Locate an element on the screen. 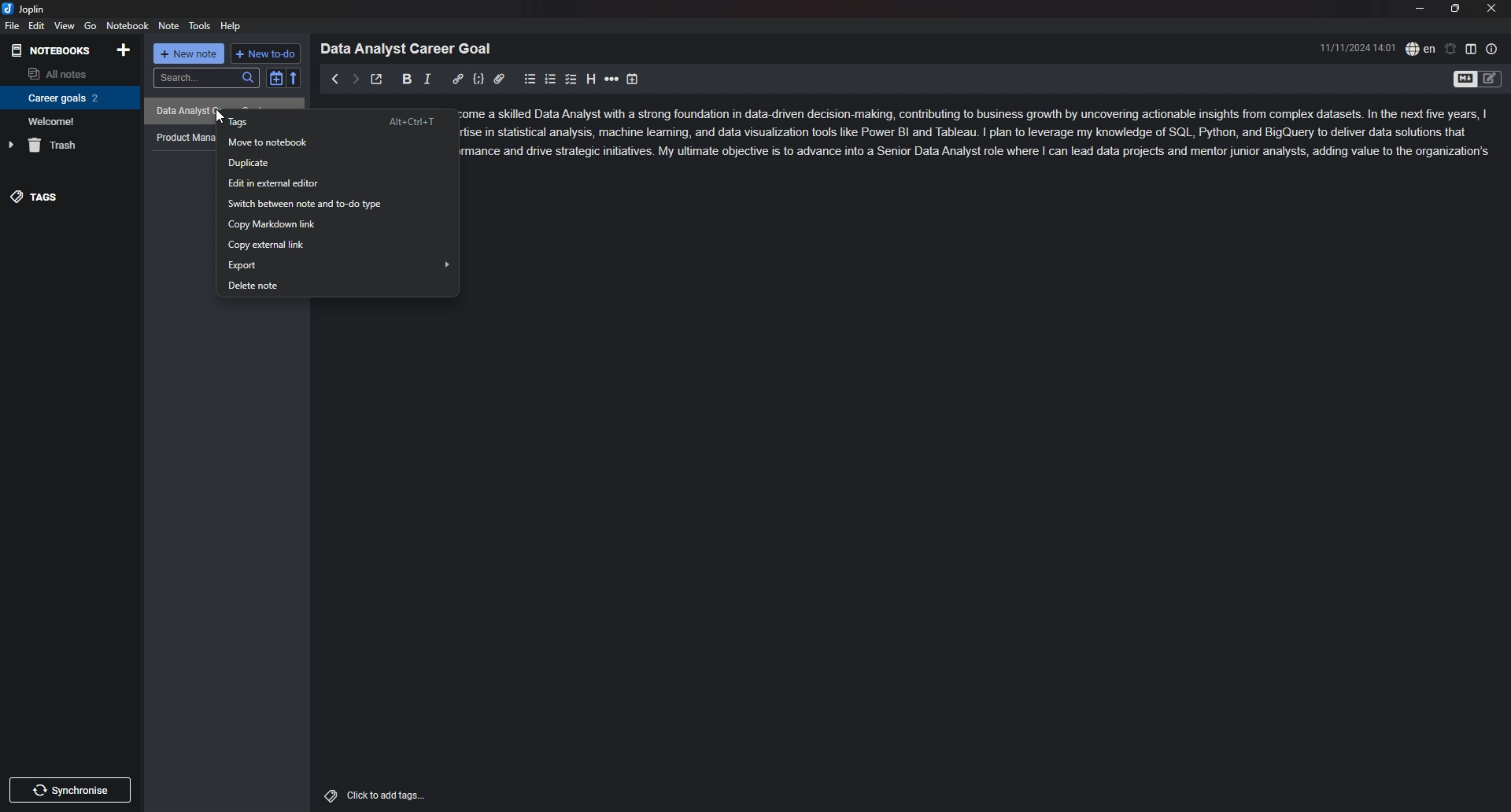  code is located at coordinates (478, 79).